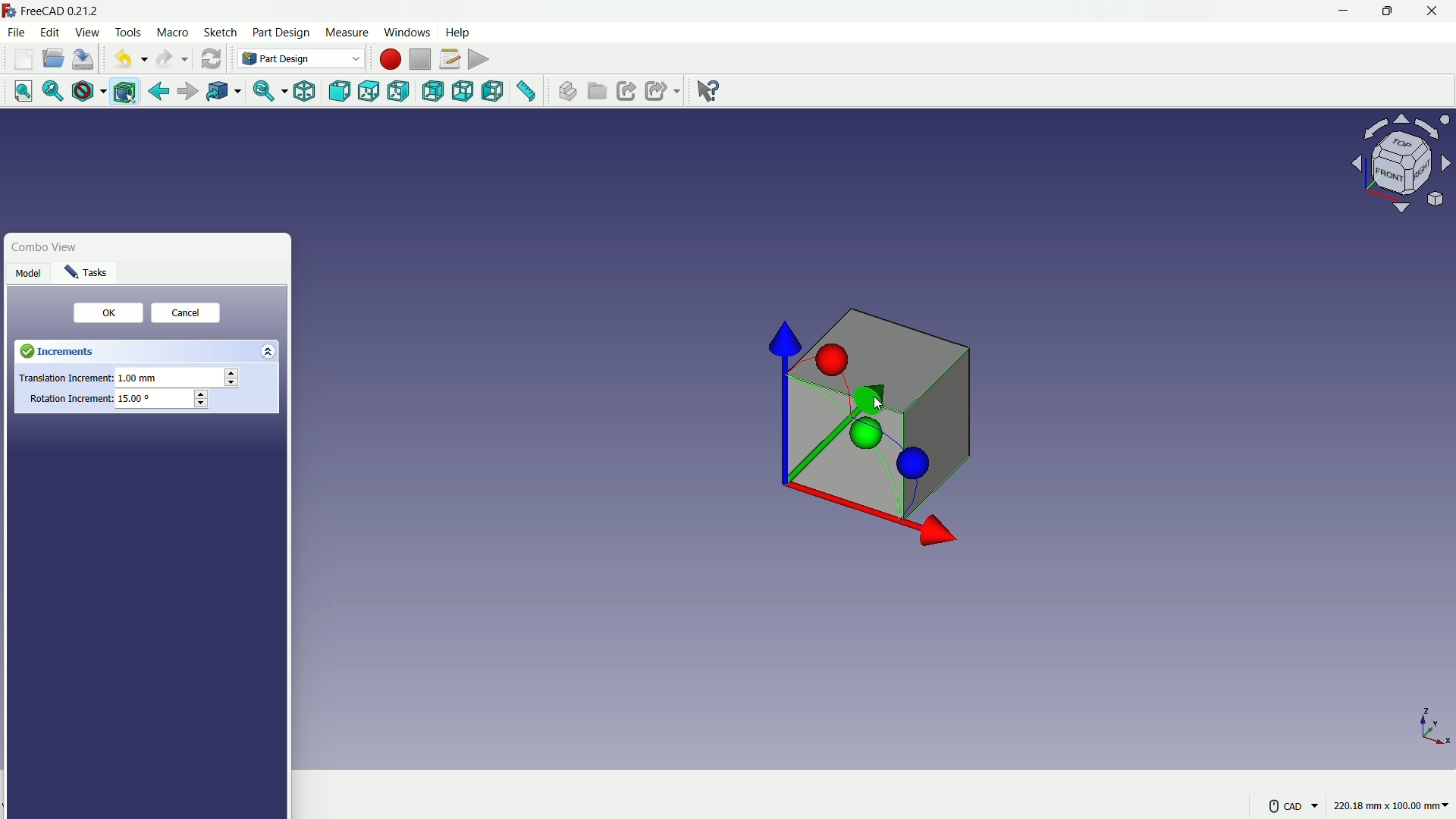  What do you see at coordinates (346, 33) in the screenshot?
I see `measure` at bounding box center [346, 33].